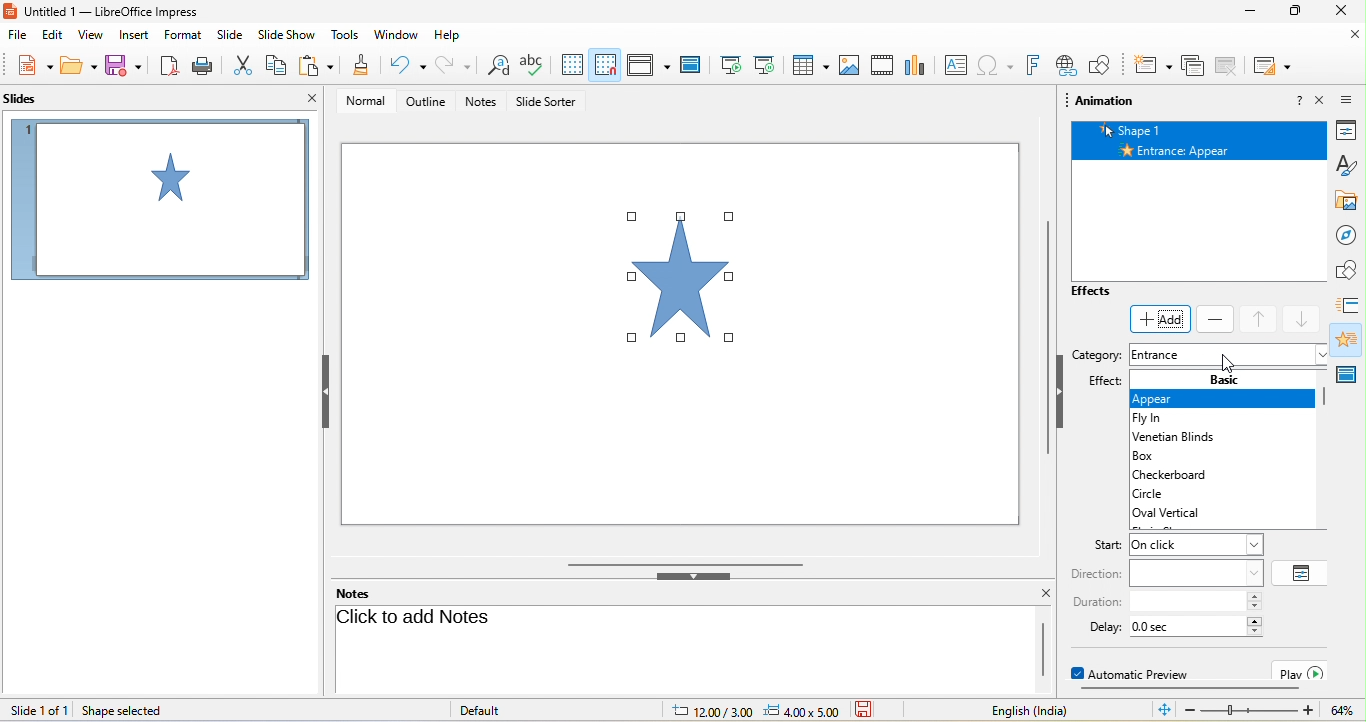  Describe the element at coordinates (207, 65) in the screenshot. I see `print` at that location.